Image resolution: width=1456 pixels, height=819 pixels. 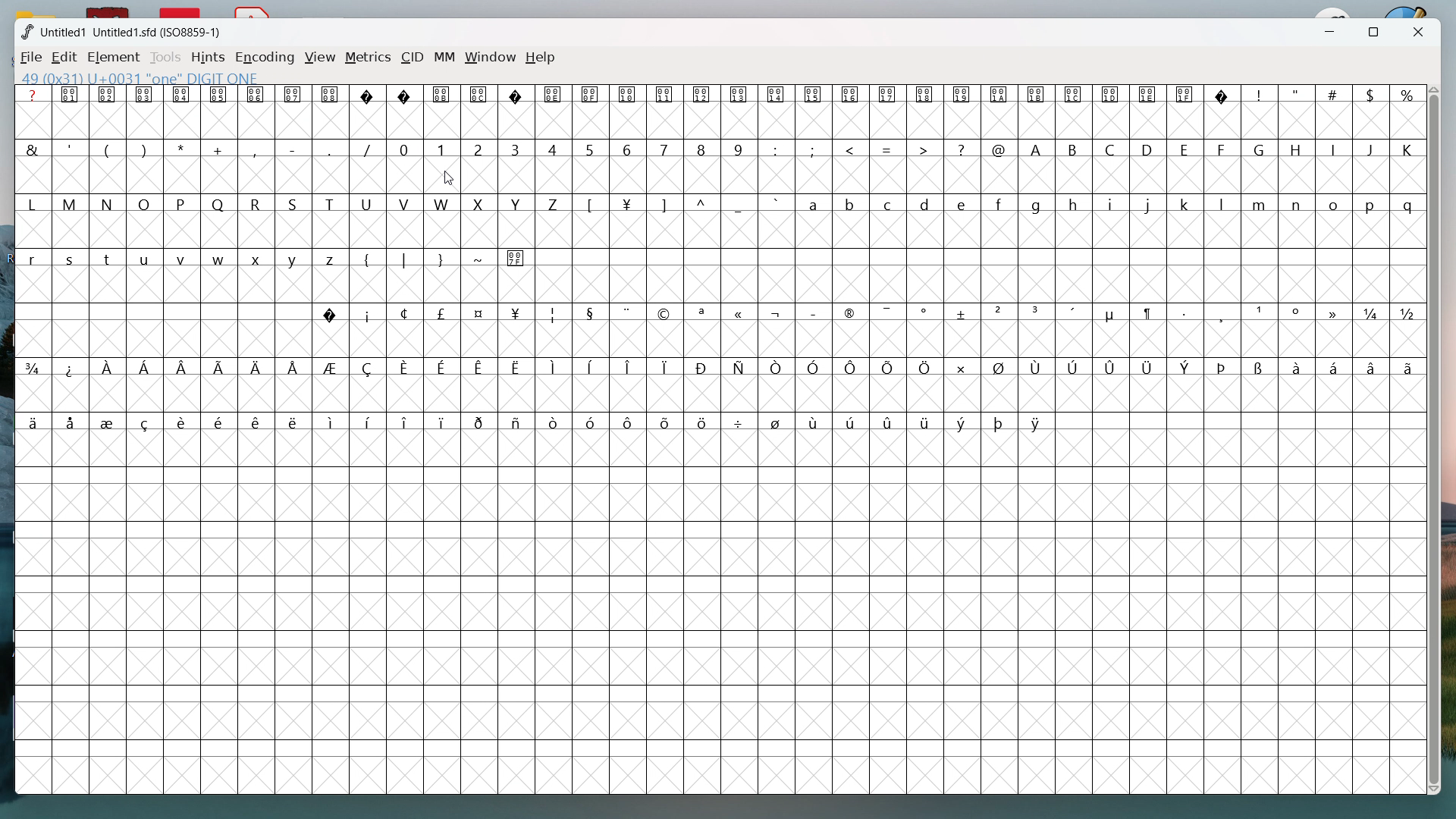 I want to click on symbol, so click(x=1335, y=313).